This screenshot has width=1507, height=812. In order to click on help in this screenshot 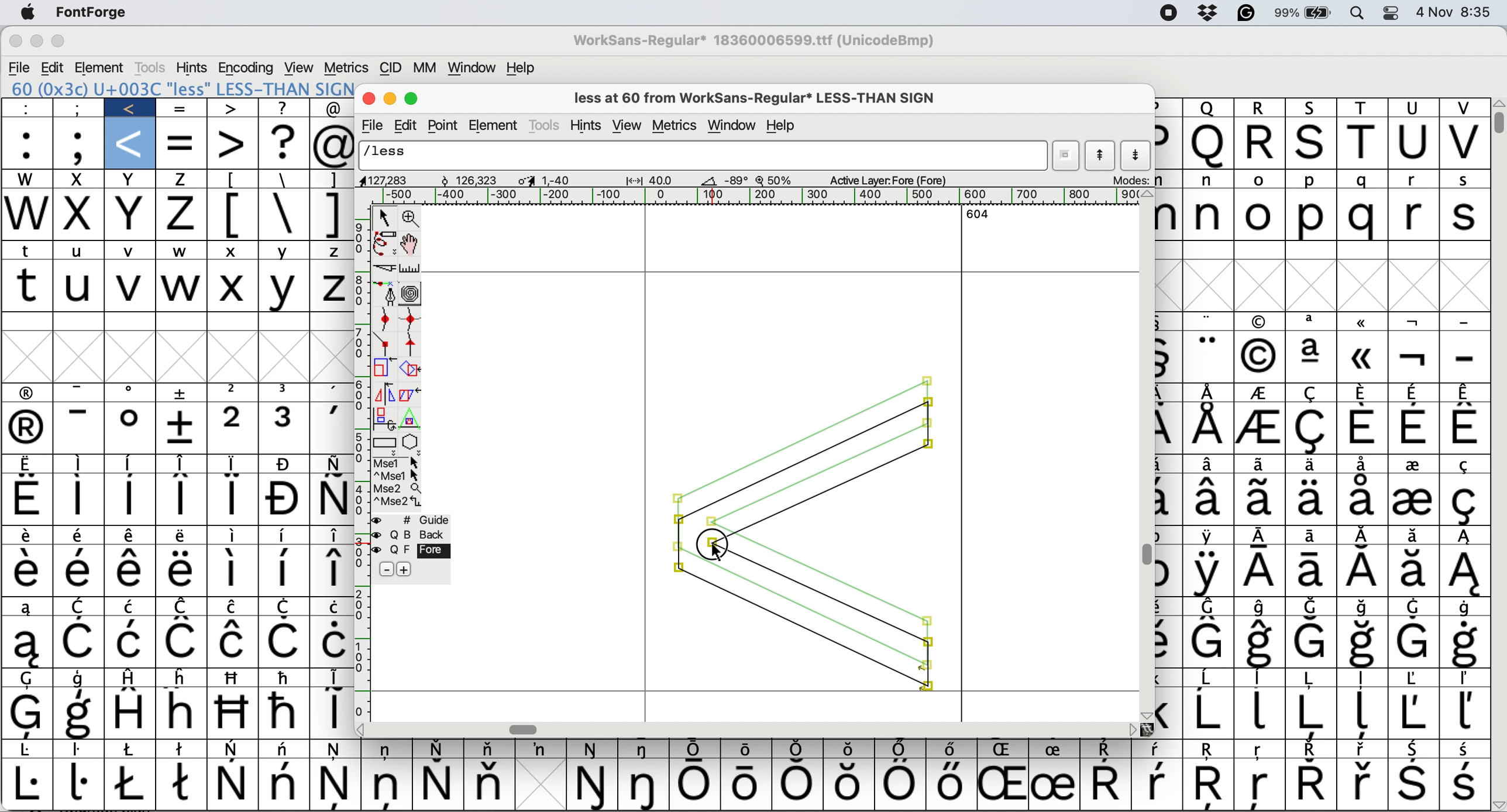, I will do `click(783, 125)`.